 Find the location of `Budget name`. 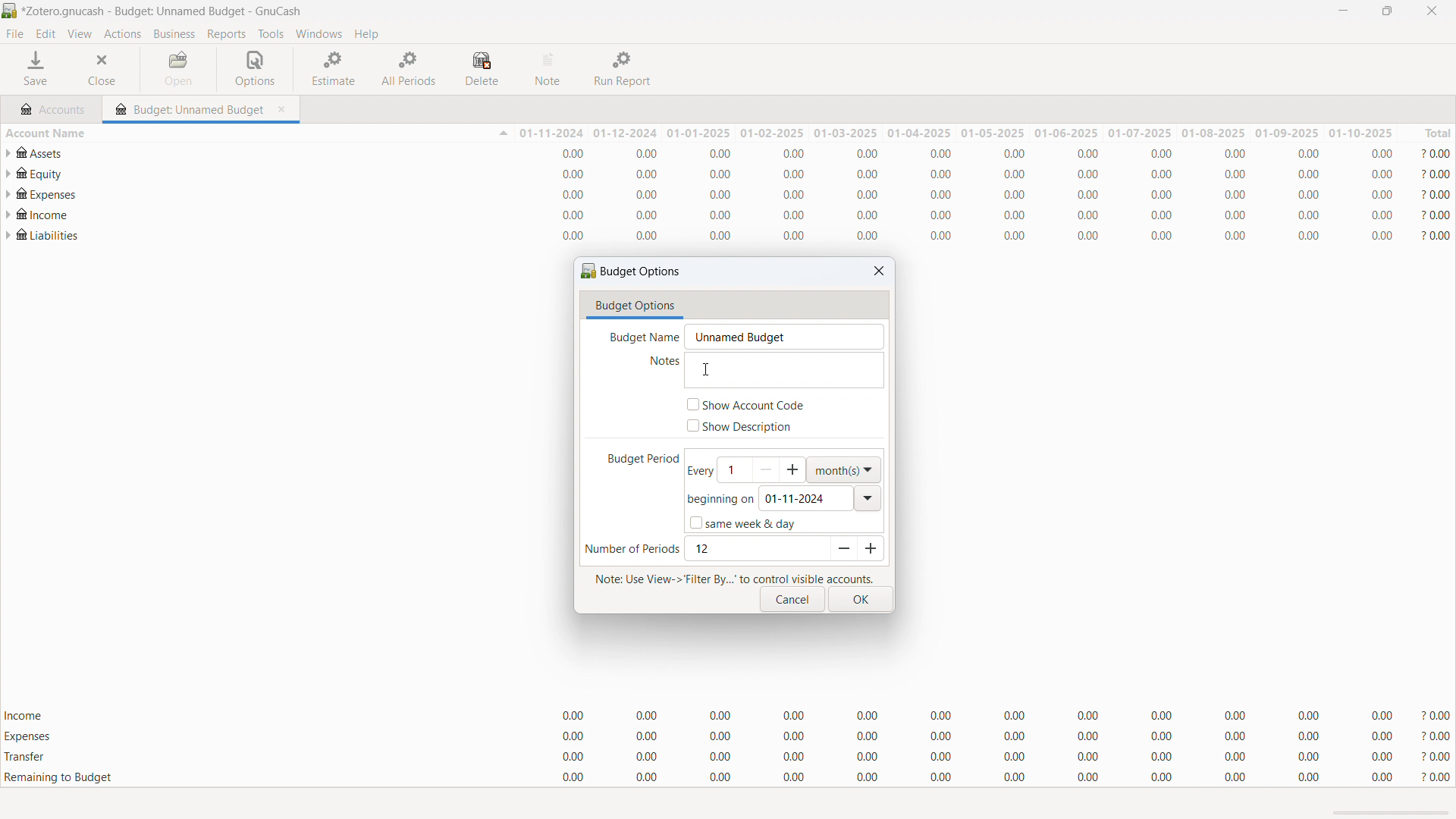

Budget name is located at coordinates (640, 337).